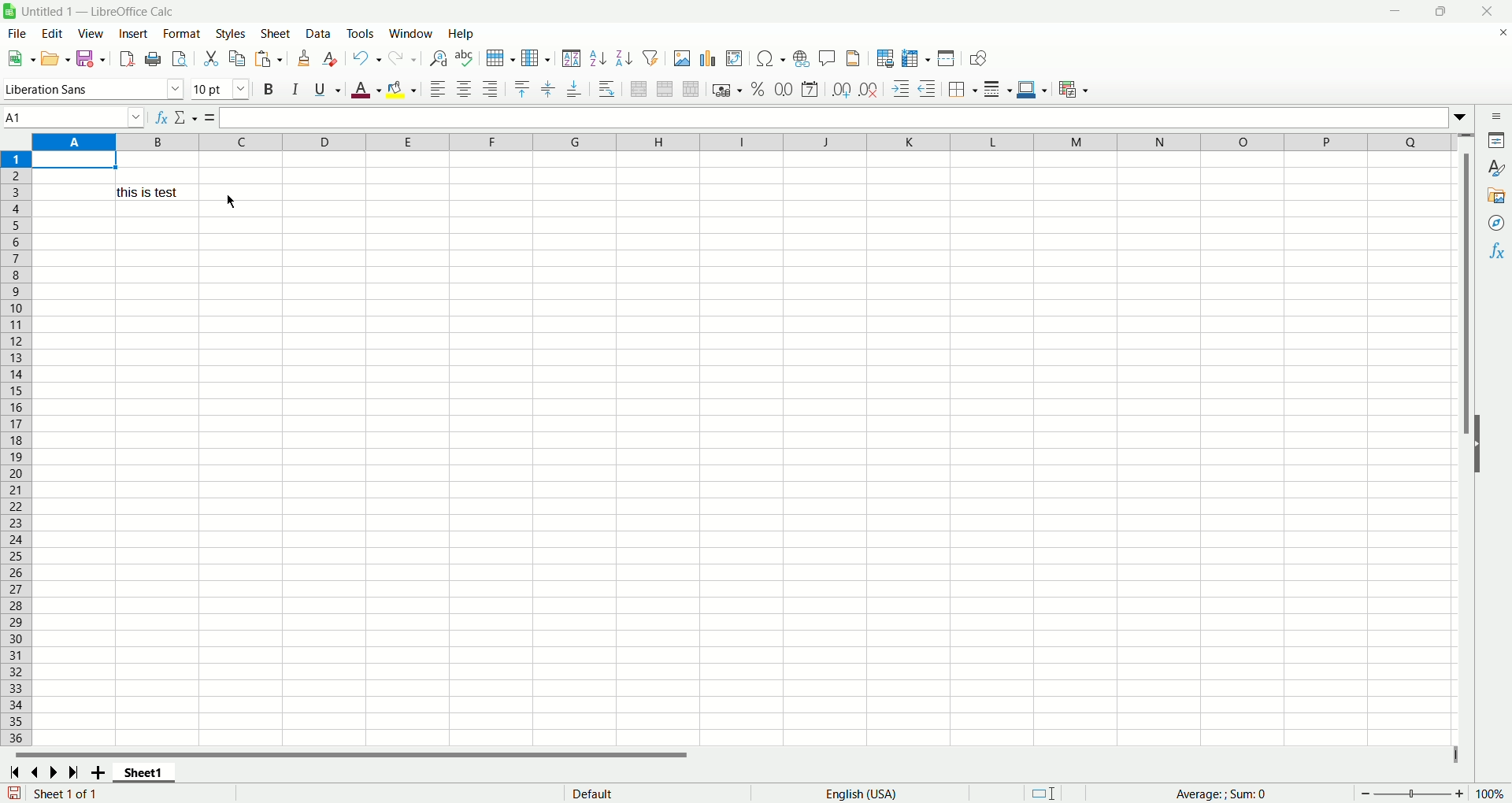  Describe the element at coordinates (94, 87) in the screenshot. I see `font name` at that location.